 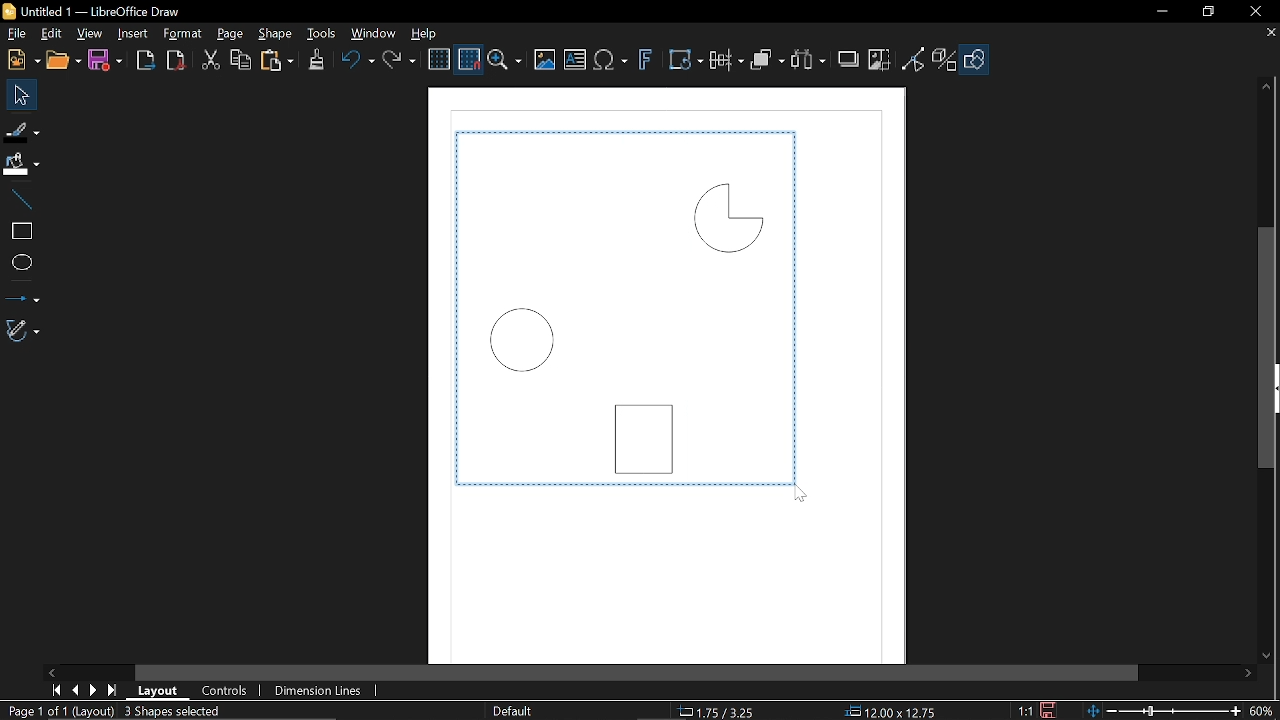 What do you see at coordinates (279, 60) in the screenshot?
I see `paste` at bounding box center [279, 60].